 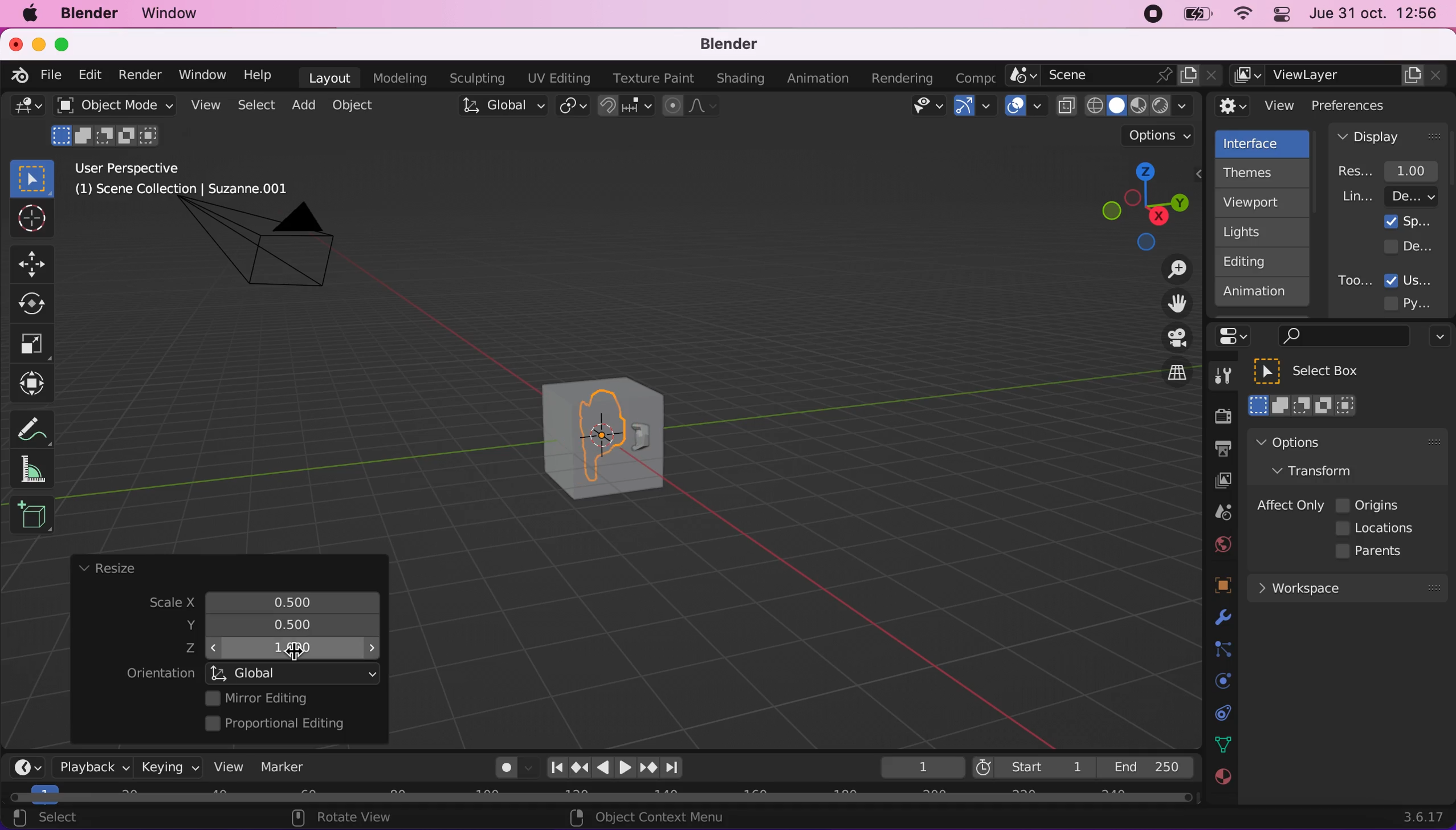 I want to click on keying, so click(x=168, y=767).